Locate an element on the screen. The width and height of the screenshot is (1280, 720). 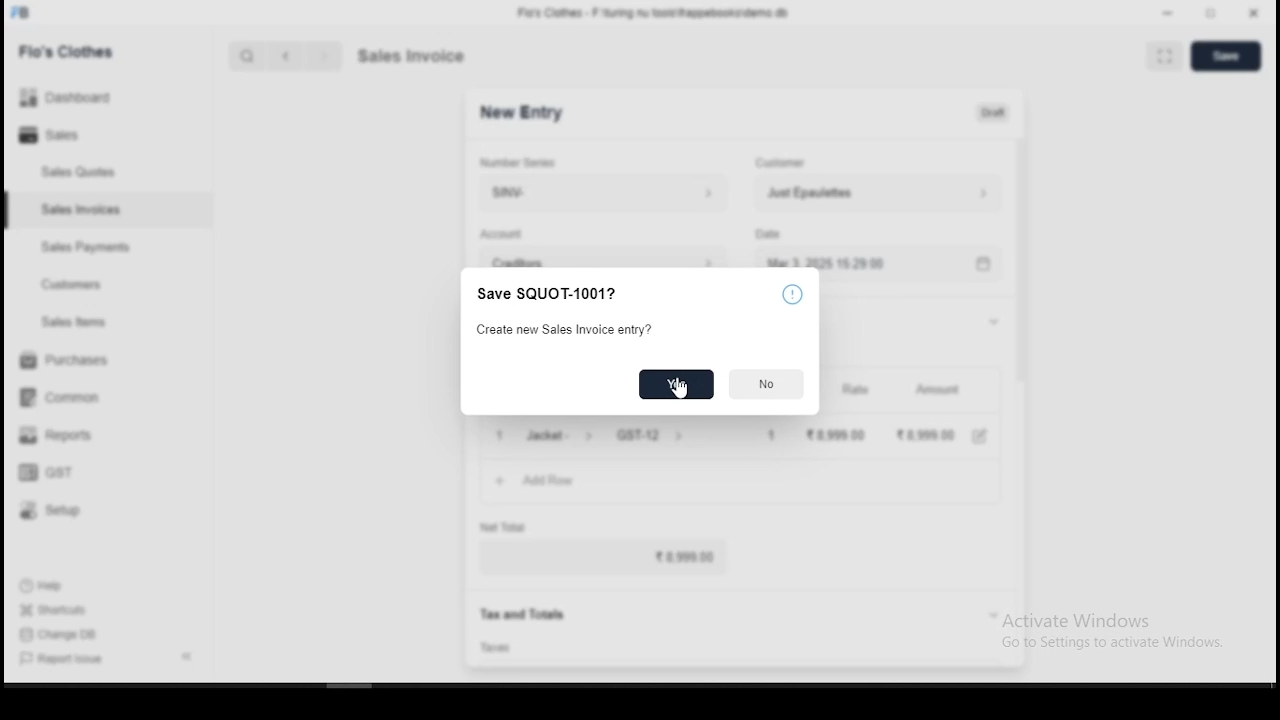
next is located at coordinates (325, 58).